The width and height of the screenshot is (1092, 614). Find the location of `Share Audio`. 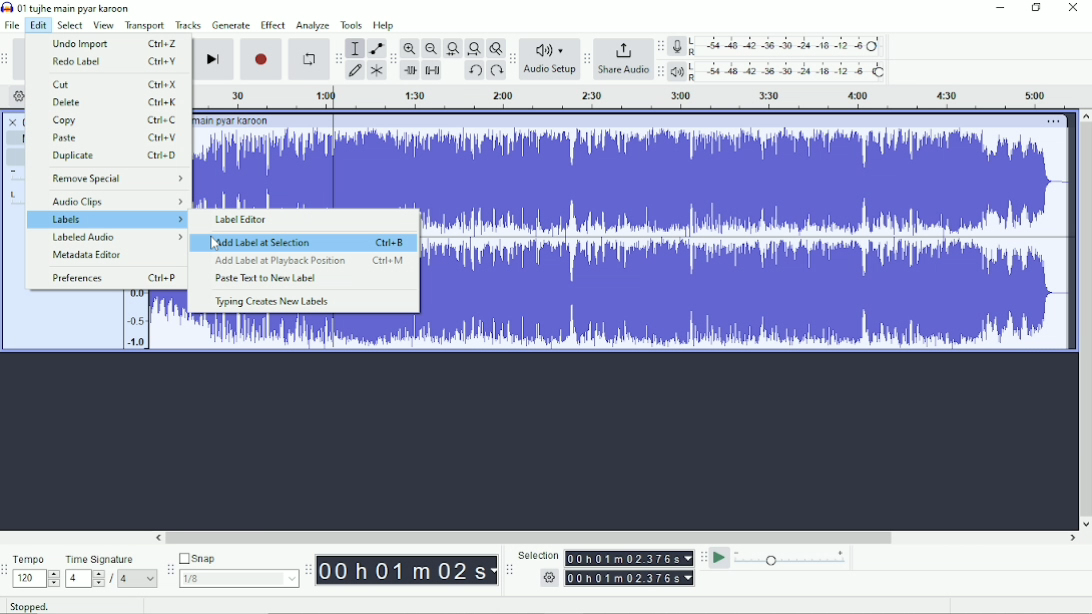

Share Audio is located at coordinates (623, 61).